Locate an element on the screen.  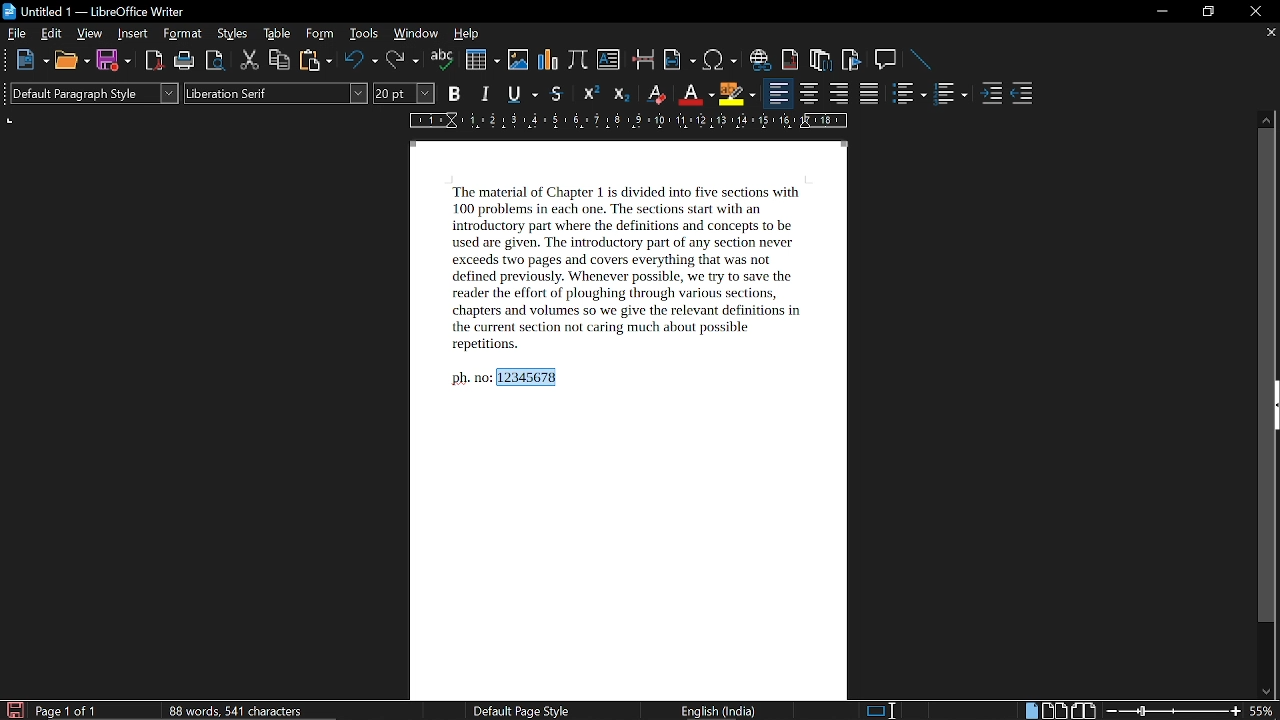
save is located at coordinates (14, 710).